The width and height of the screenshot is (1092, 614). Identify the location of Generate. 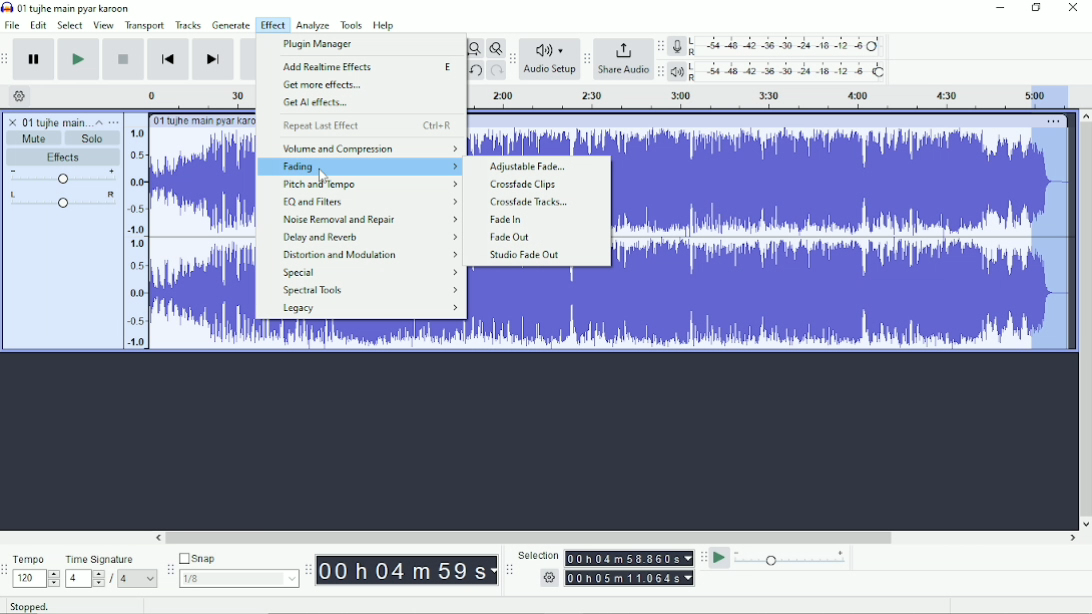
(232, 24).